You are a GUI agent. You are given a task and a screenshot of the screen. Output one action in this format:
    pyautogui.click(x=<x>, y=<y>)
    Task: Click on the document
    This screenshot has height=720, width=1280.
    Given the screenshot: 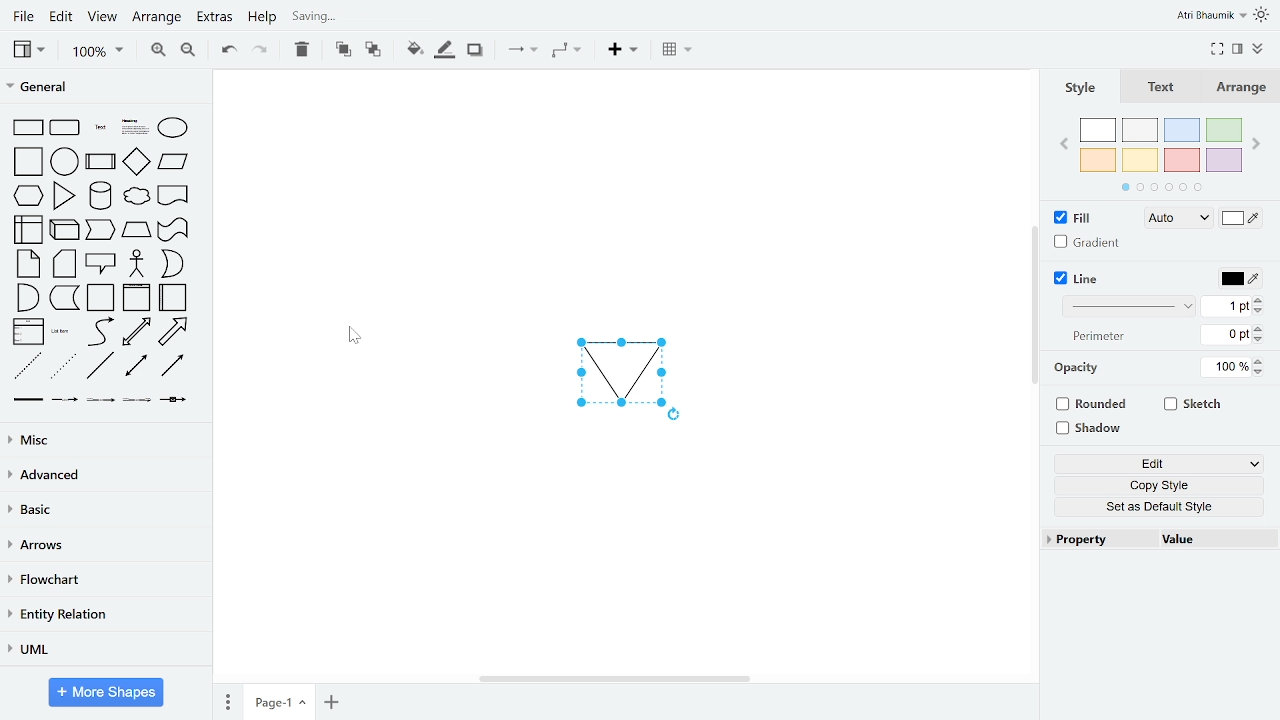 What is the action you would take?
    pyautogui.click(x=173, y=194)
    